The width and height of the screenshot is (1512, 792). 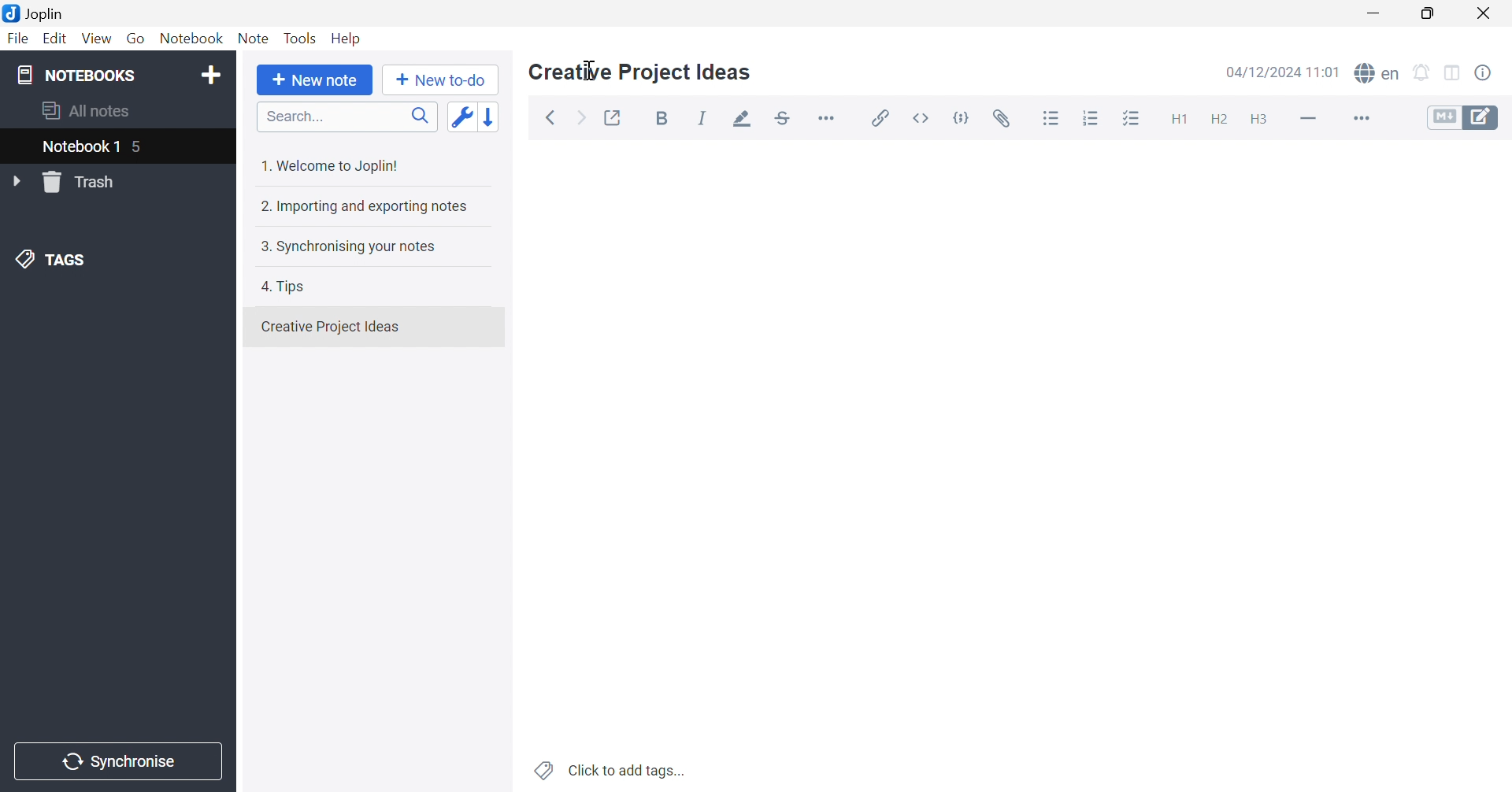 What do you see at coordinates (347, 118) in the screenshot?
I see `Search` at bounding box center [347, 118].